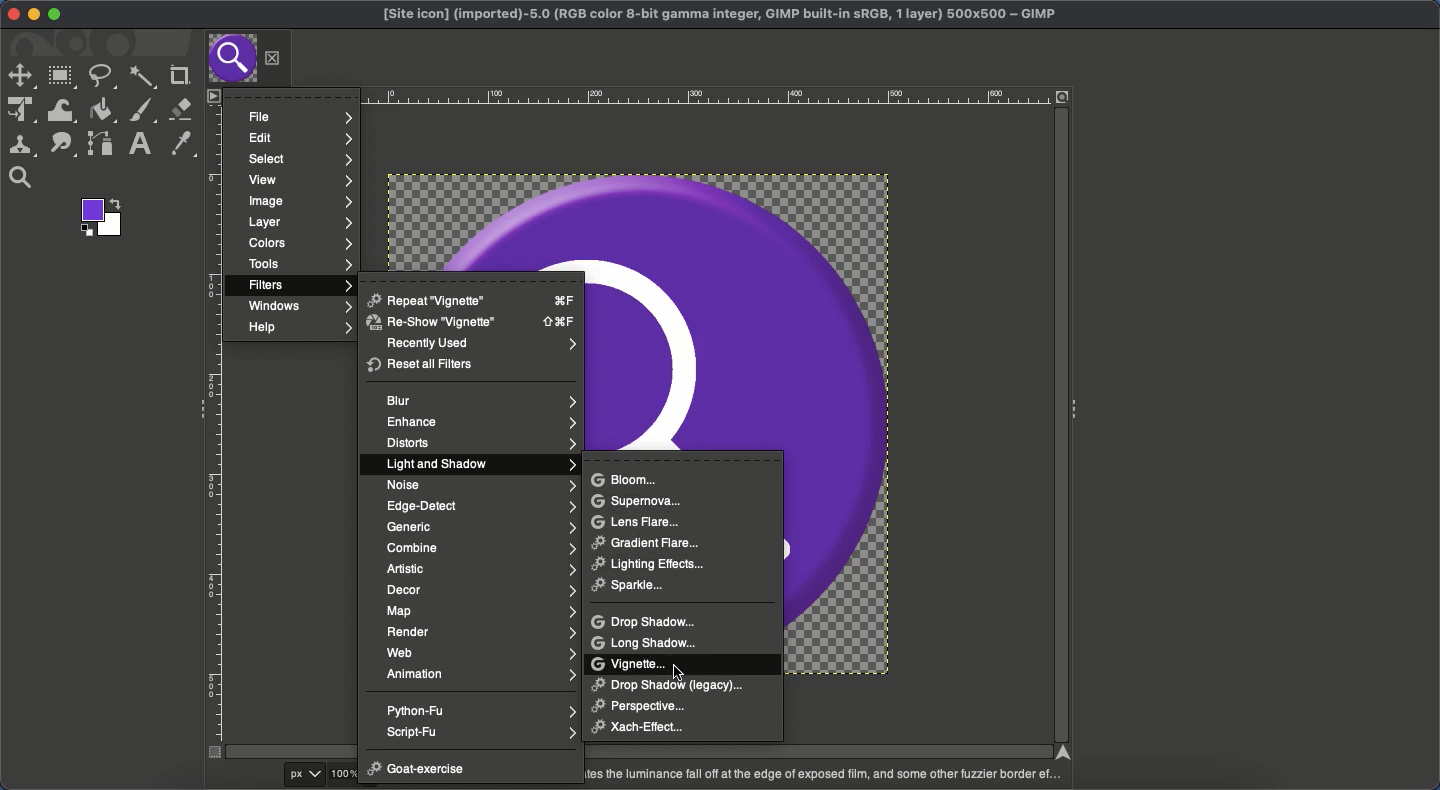  Describe the element at coordinates (179, 144) in the screenshot. I see `Color picker` at that location.